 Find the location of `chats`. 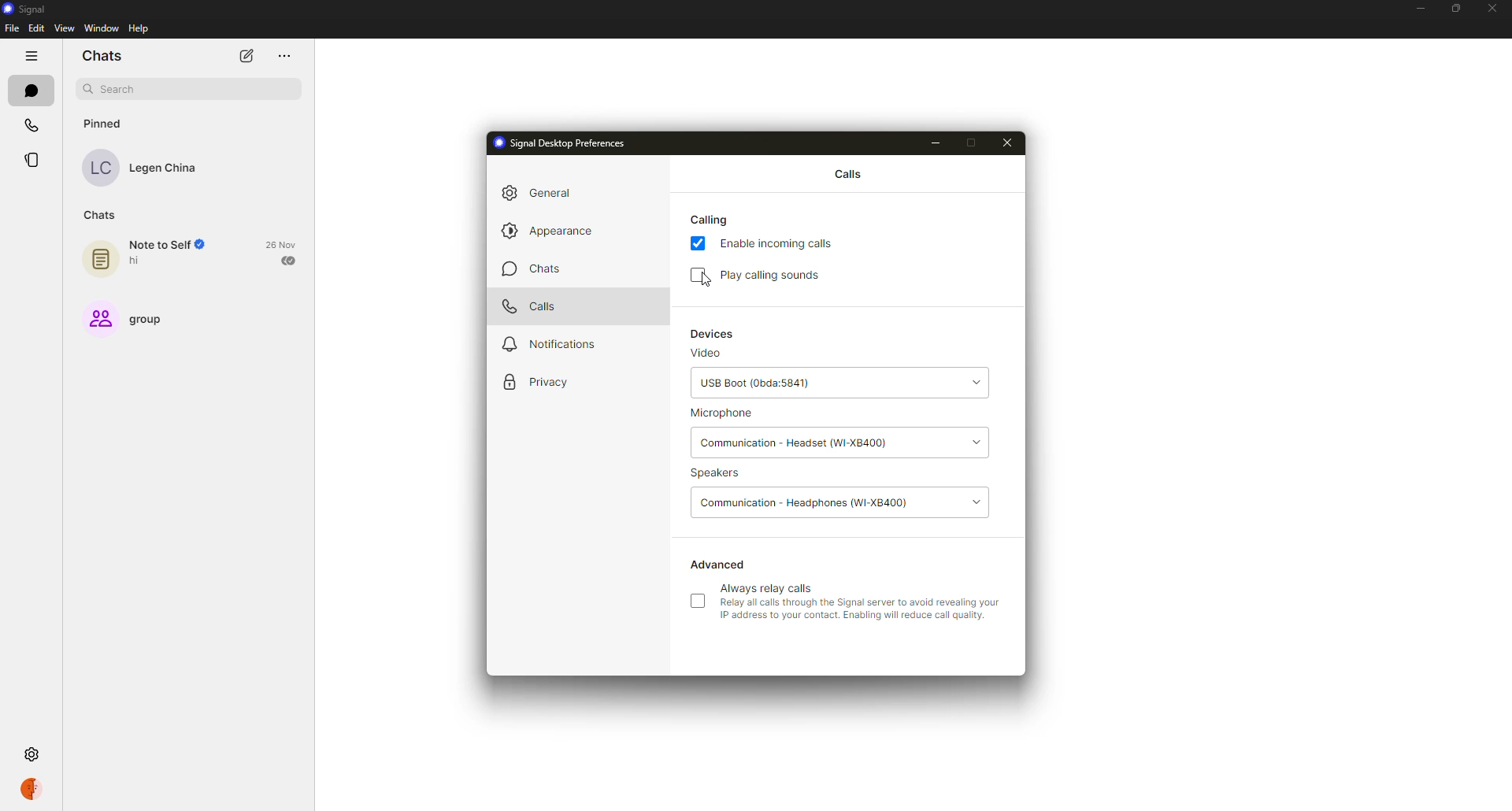

chats is located at coordinates (101, 216).